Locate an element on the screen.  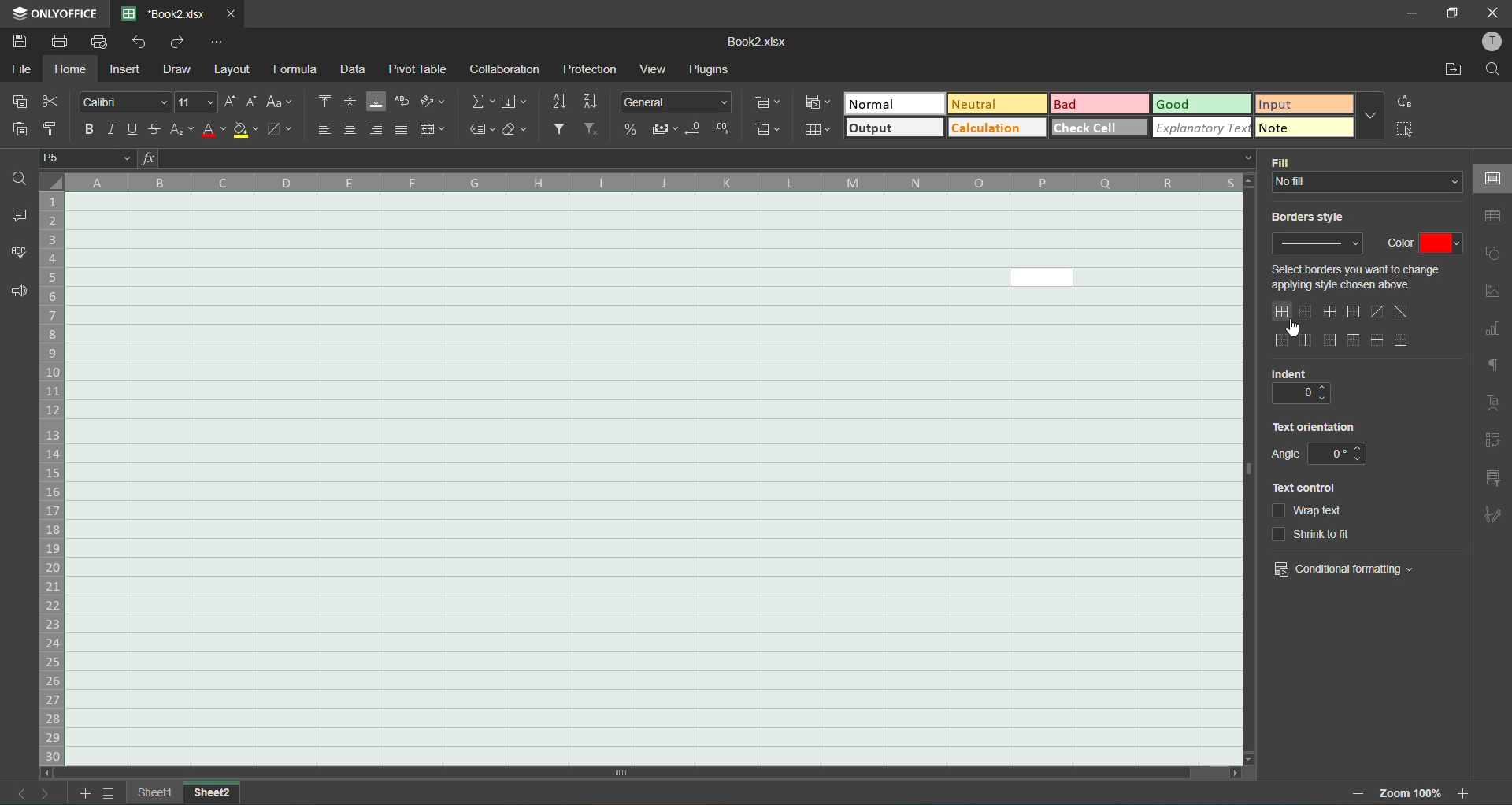
signature is located at coordinates (1493, 516).